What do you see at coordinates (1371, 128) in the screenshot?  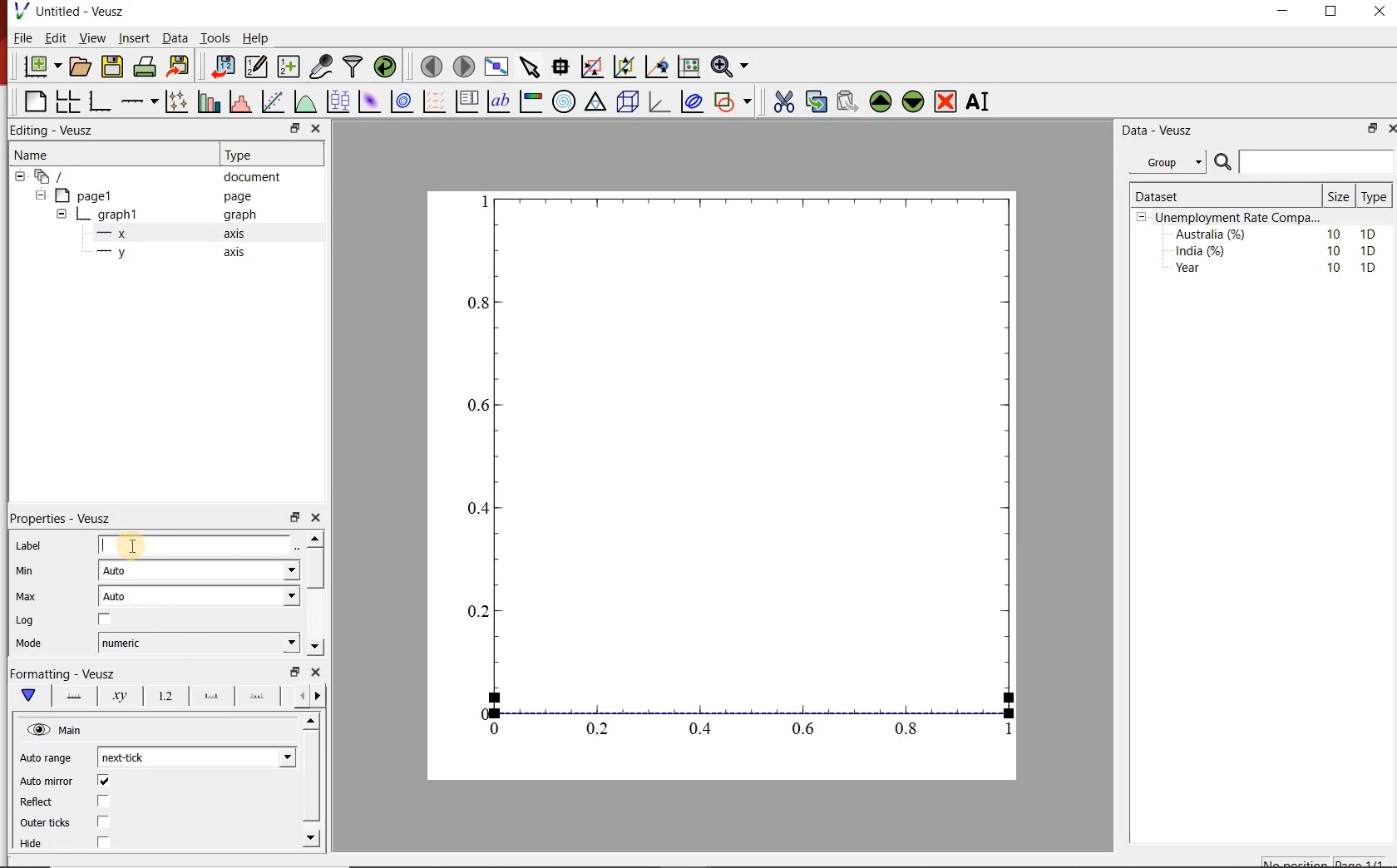 I see `minimise` at bounding box center [1371, 128].